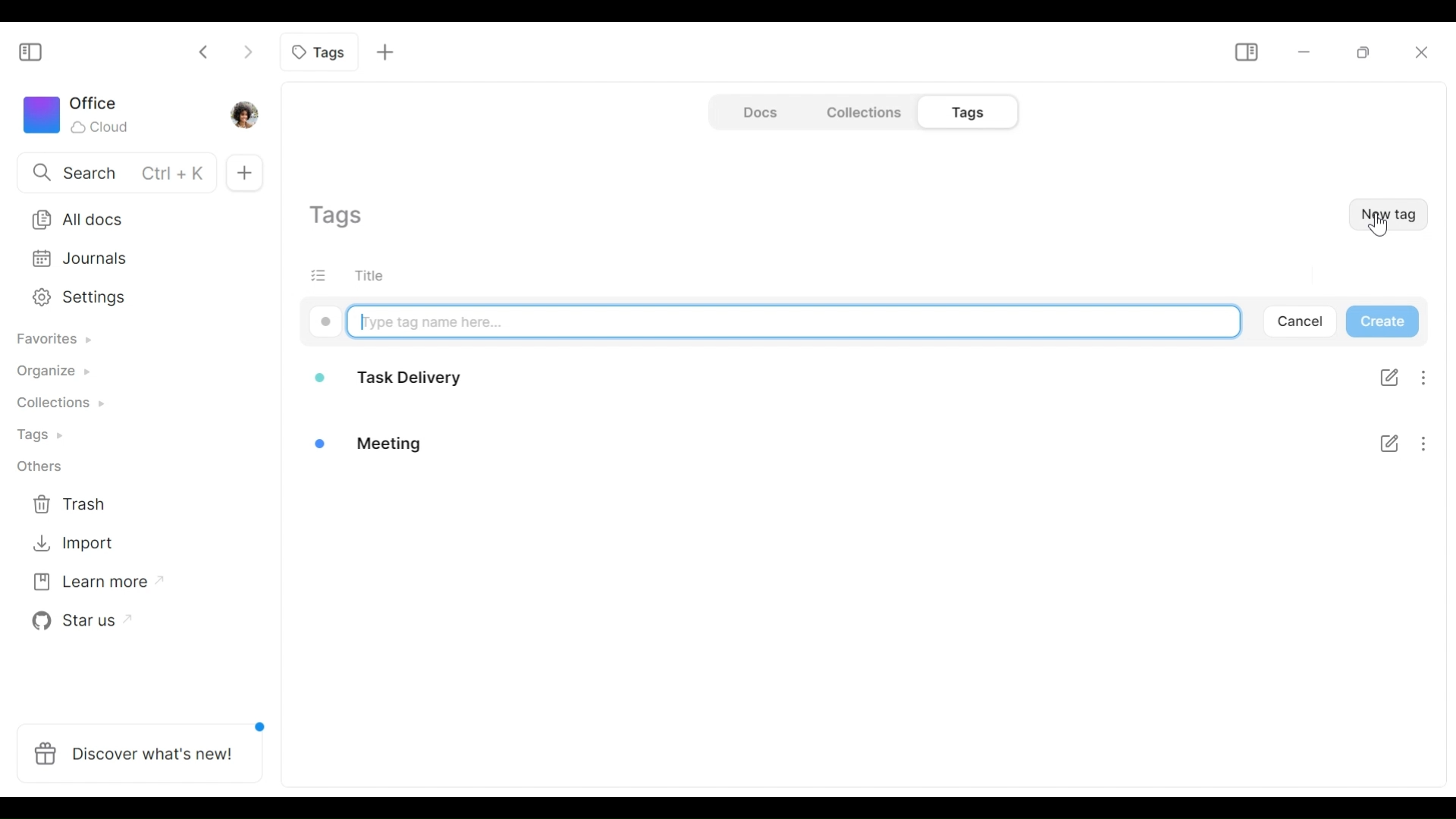 This screenshot has width=1456, height=819. Describe the element at coordinates (135, 220) in the screenshot. I see `All documents` at that location.